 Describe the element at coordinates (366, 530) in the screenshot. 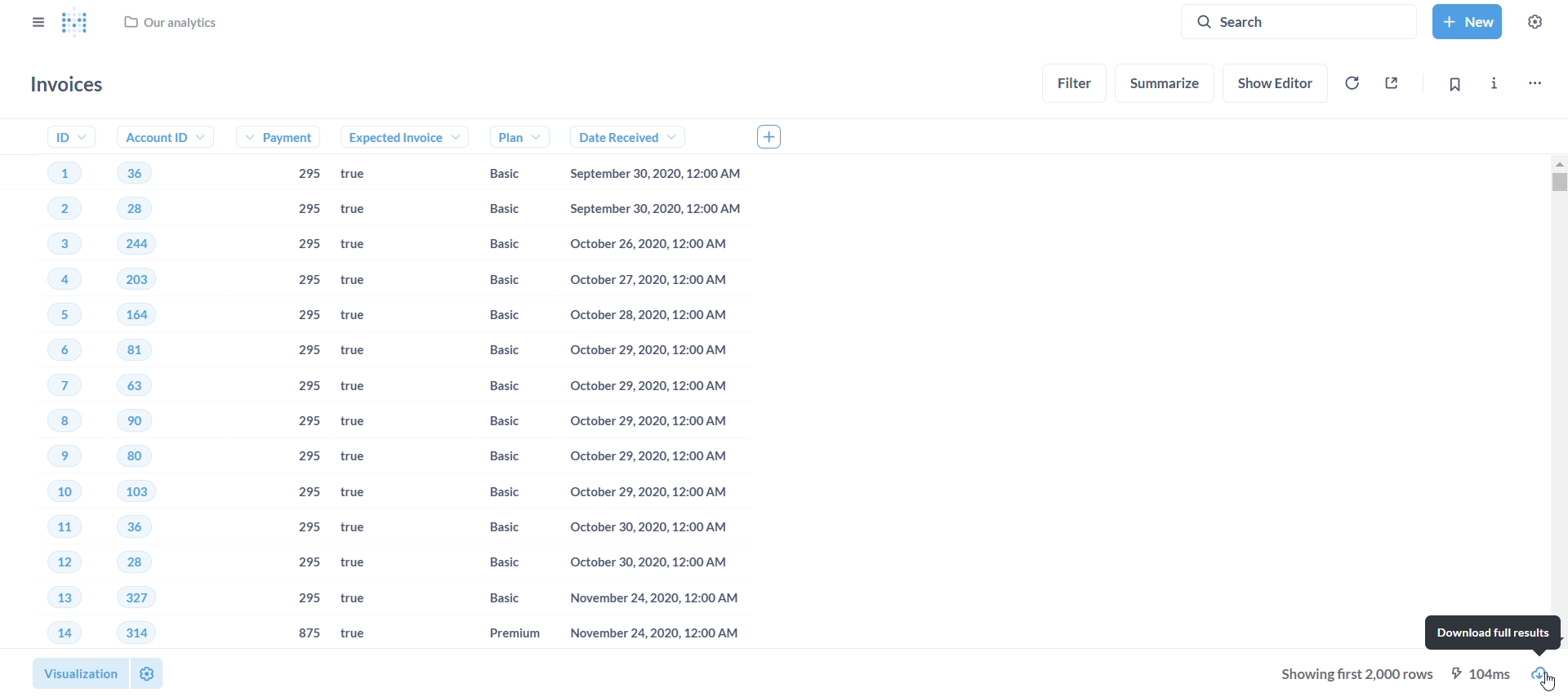

I see `true` at that location.